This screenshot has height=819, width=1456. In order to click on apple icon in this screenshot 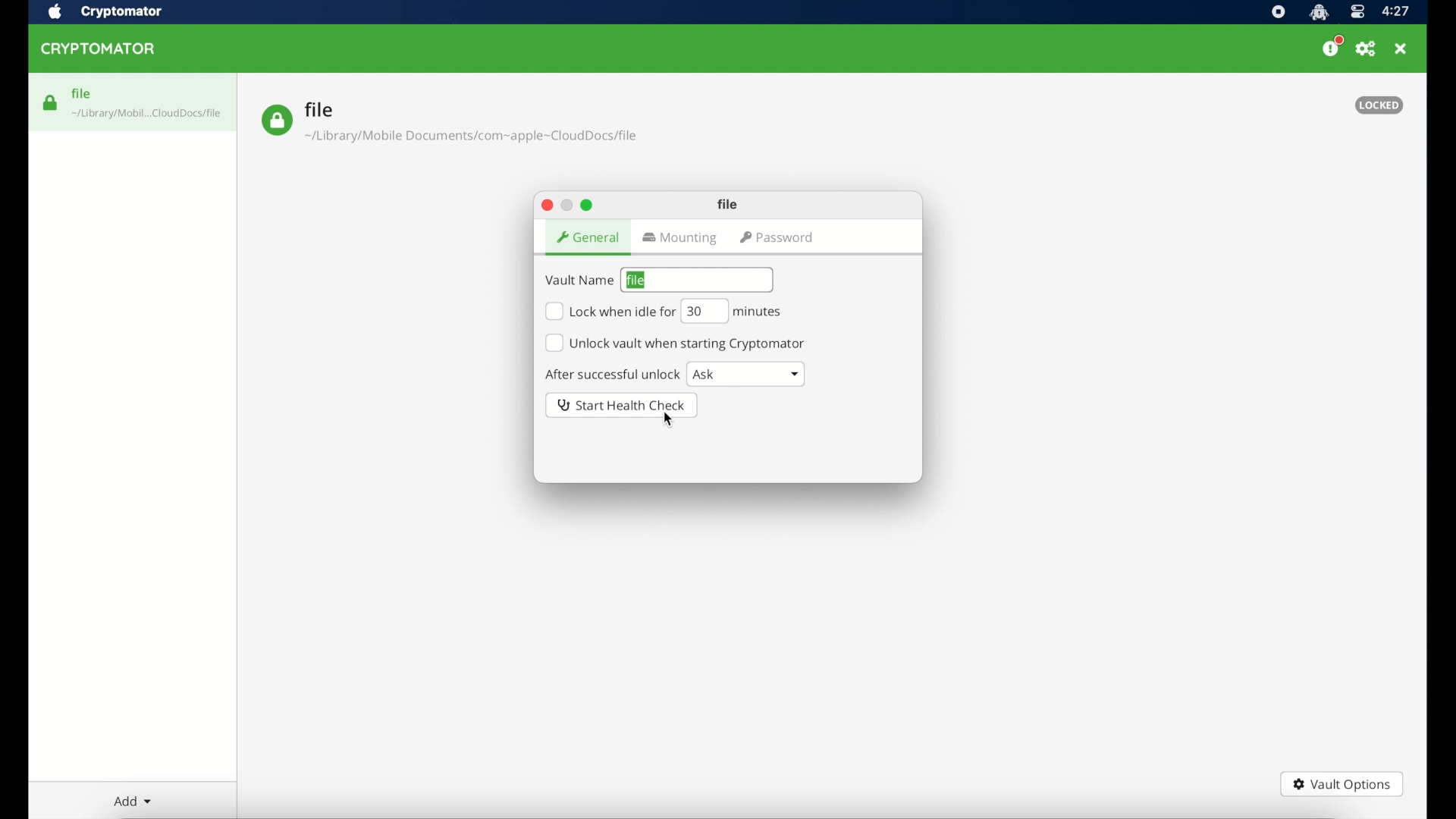, I will do `click(55, 12)`.